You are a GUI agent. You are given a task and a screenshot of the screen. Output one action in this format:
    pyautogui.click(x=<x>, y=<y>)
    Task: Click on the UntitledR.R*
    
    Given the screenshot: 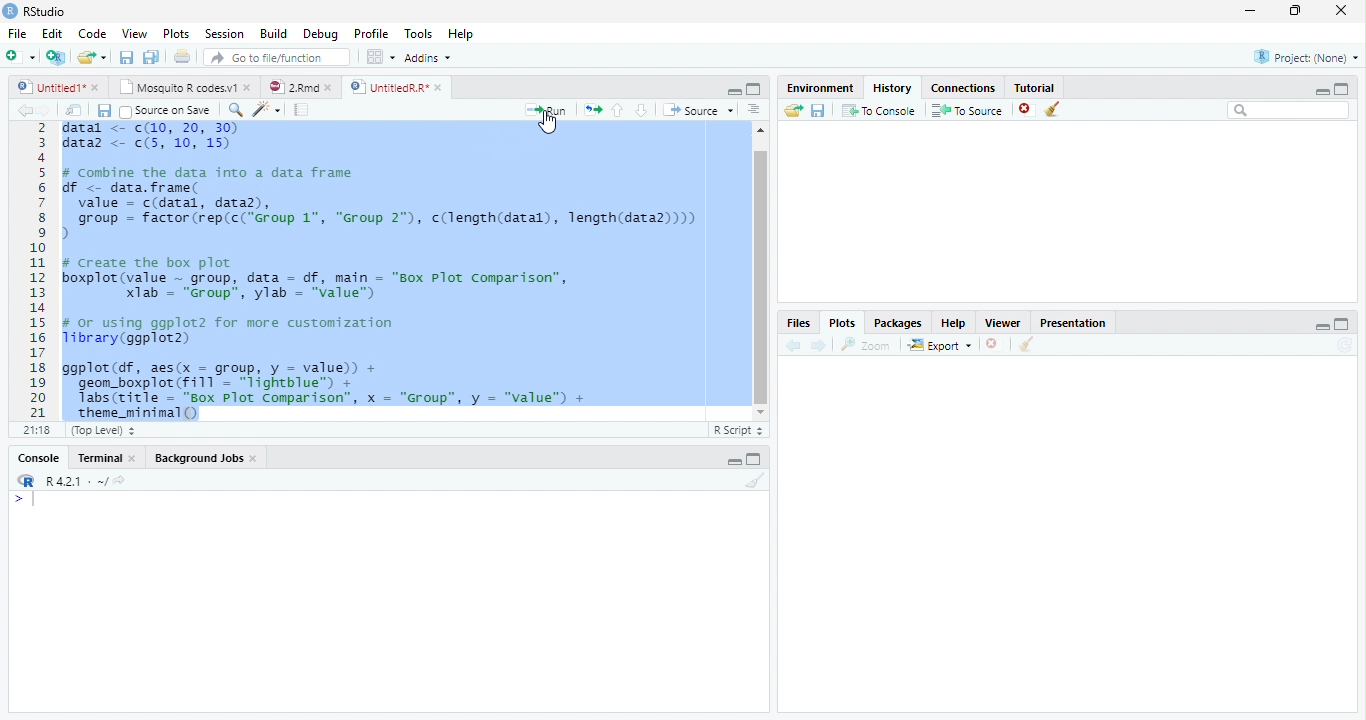 What is the action you would take?
    pyautogui.click(x=388, y=88)
    